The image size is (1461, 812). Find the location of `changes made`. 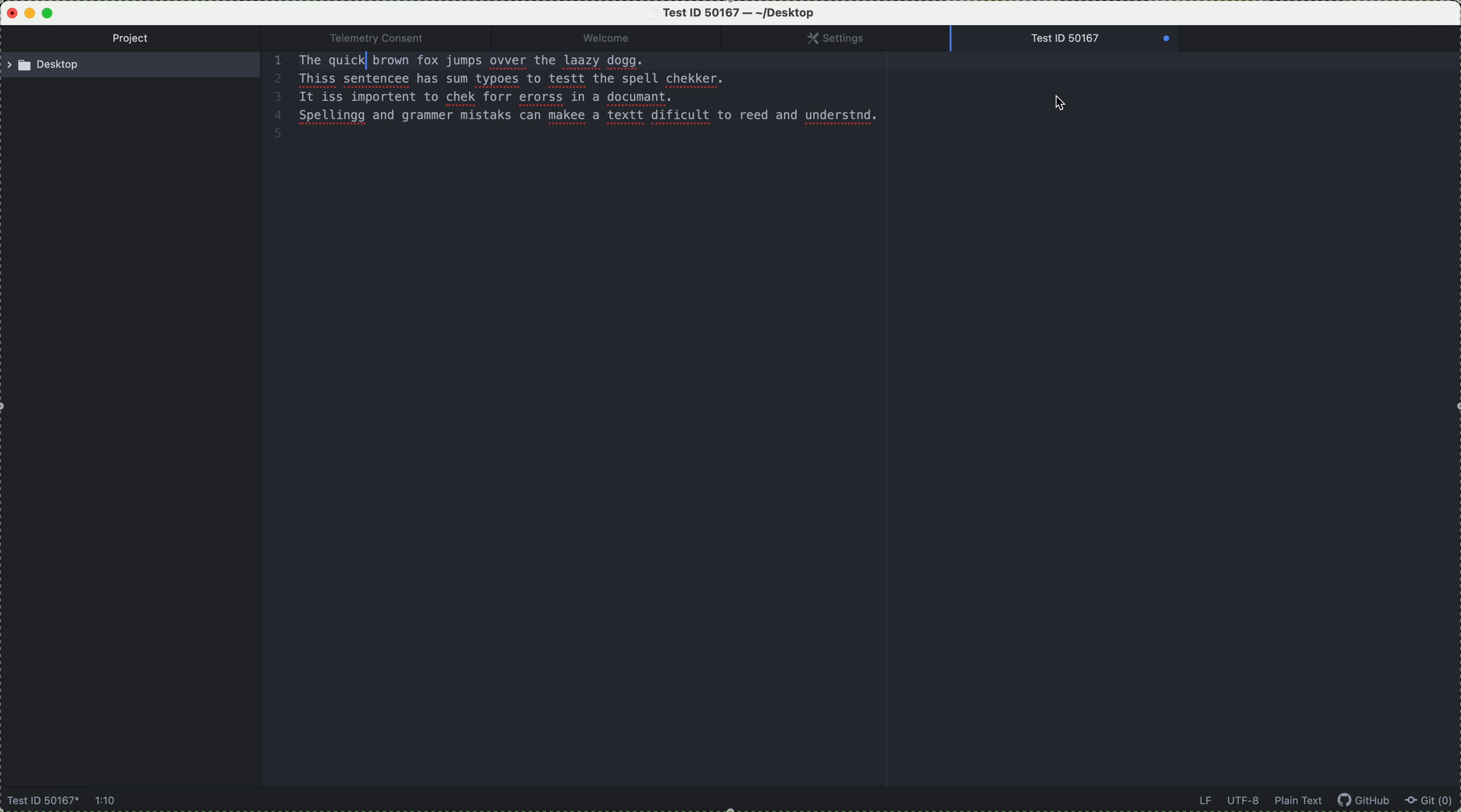

changes made is located at coordinates (1063, 40).